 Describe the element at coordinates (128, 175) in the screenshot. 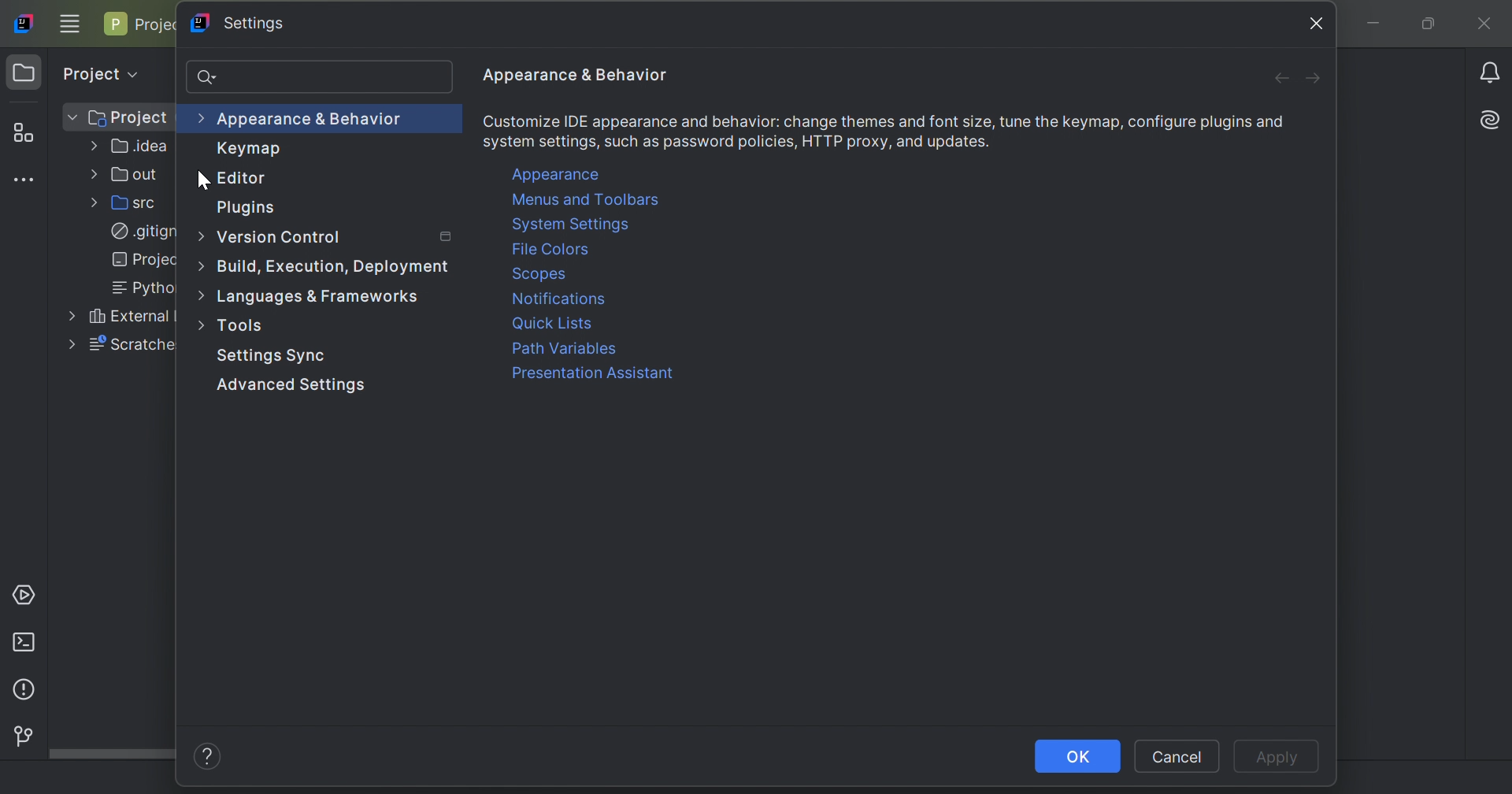

I see `out` at that location.